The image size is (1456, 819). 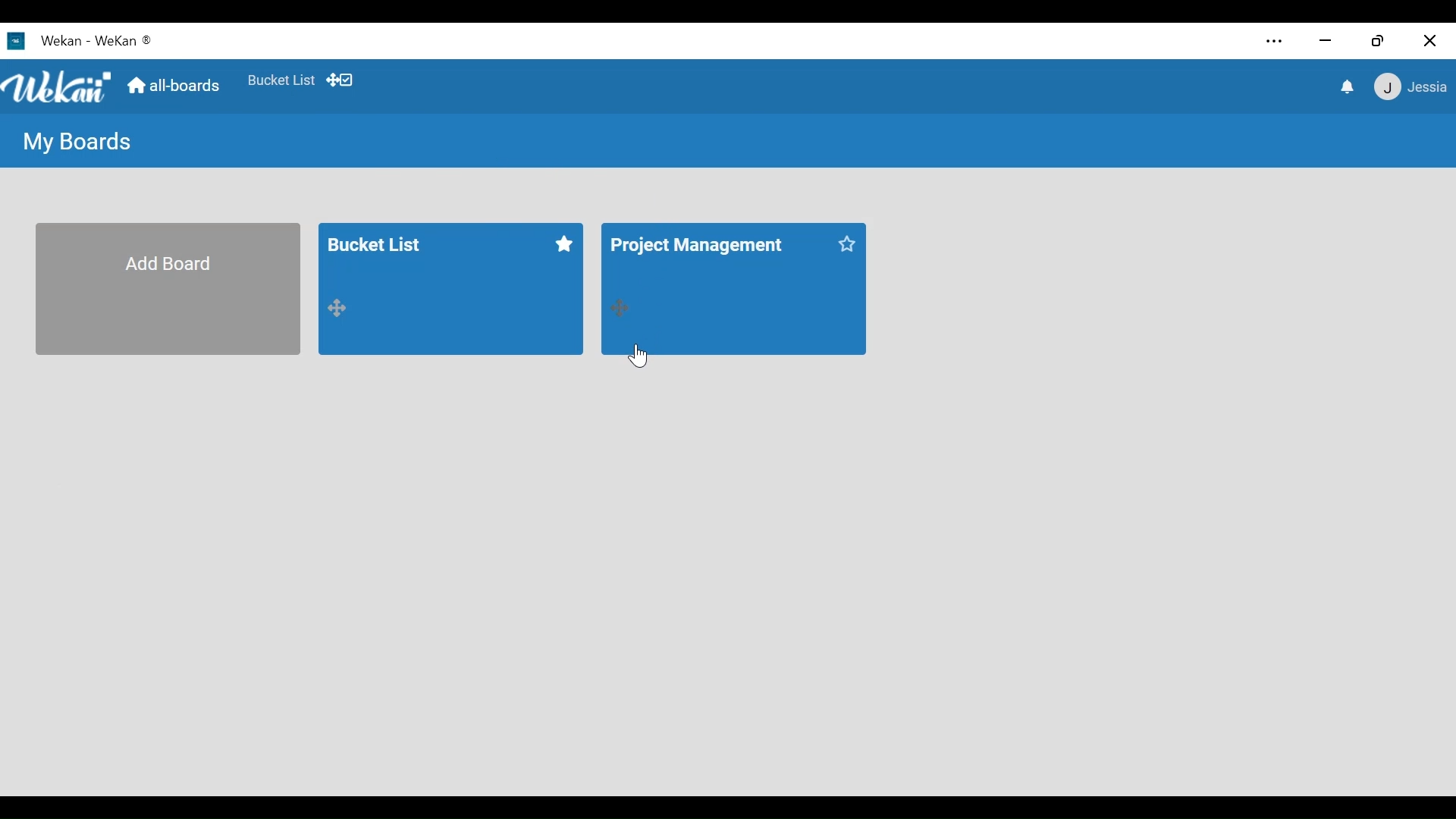 What do you see at coordinates (389, 244) in the screenshot?
I see `board title` at bounding box center [389, 244].